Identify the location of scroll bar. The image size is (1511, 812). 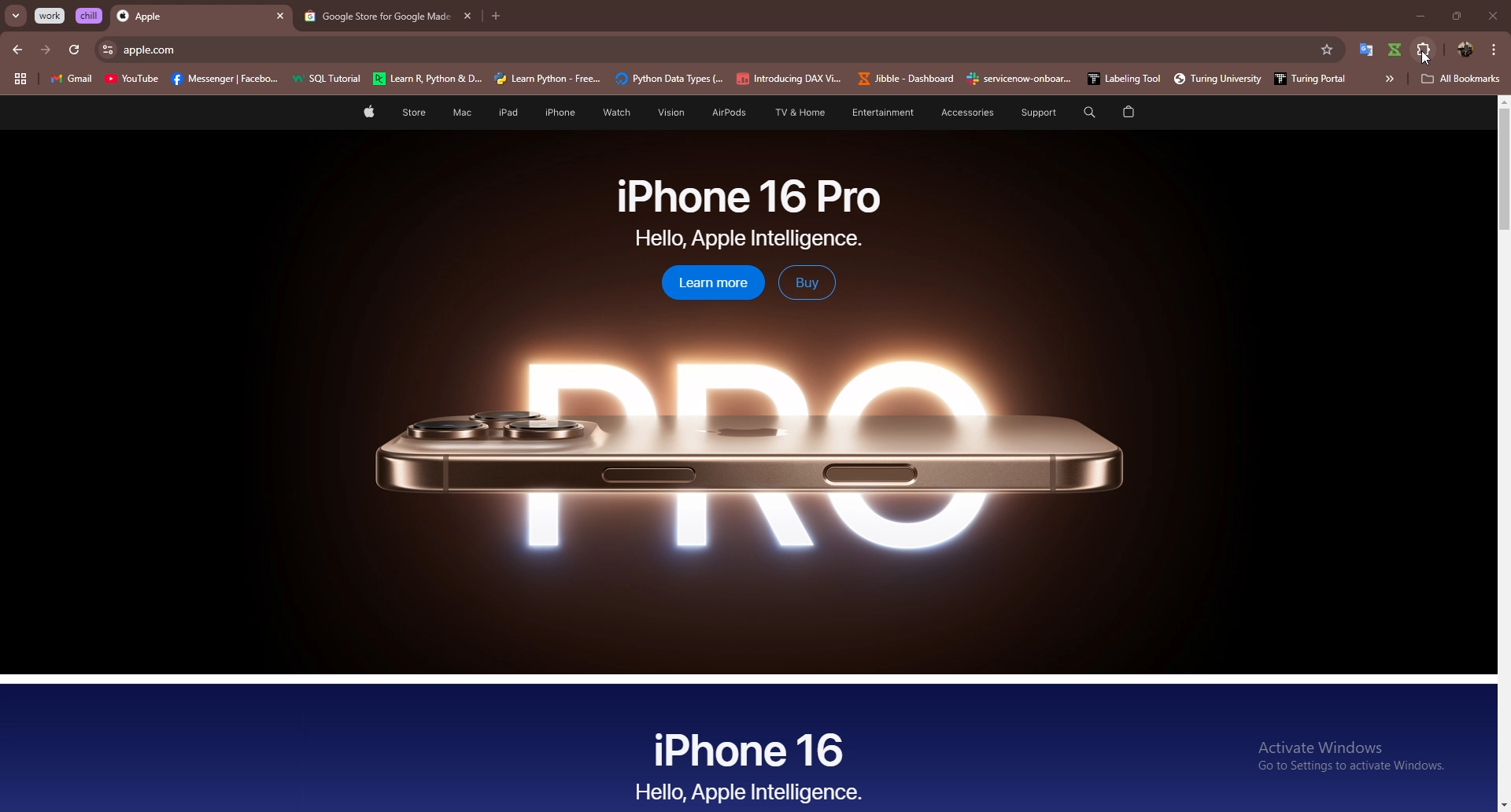
(1505, 452).